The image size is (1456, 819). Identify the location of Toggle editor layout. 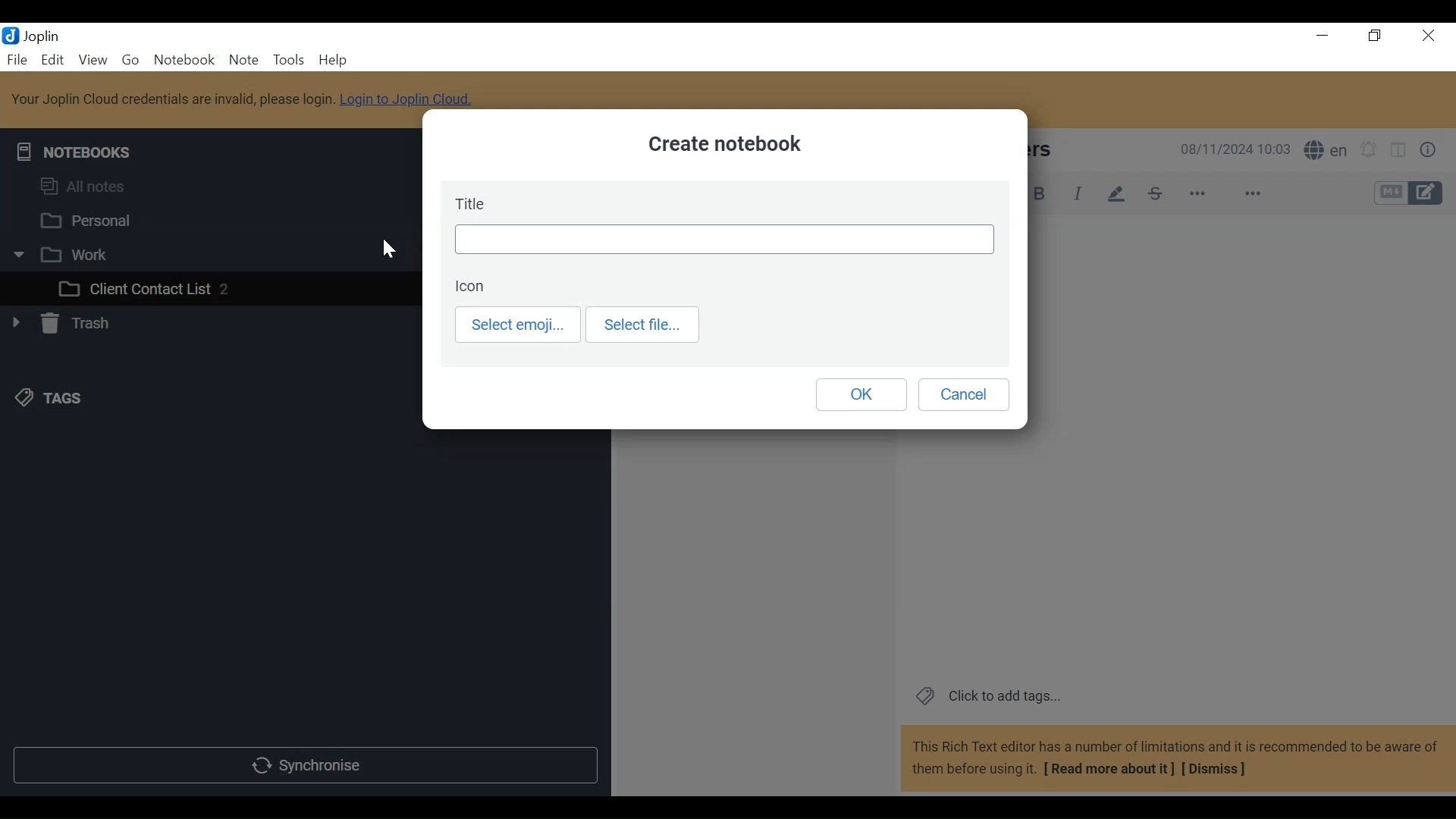
(1398, 149).